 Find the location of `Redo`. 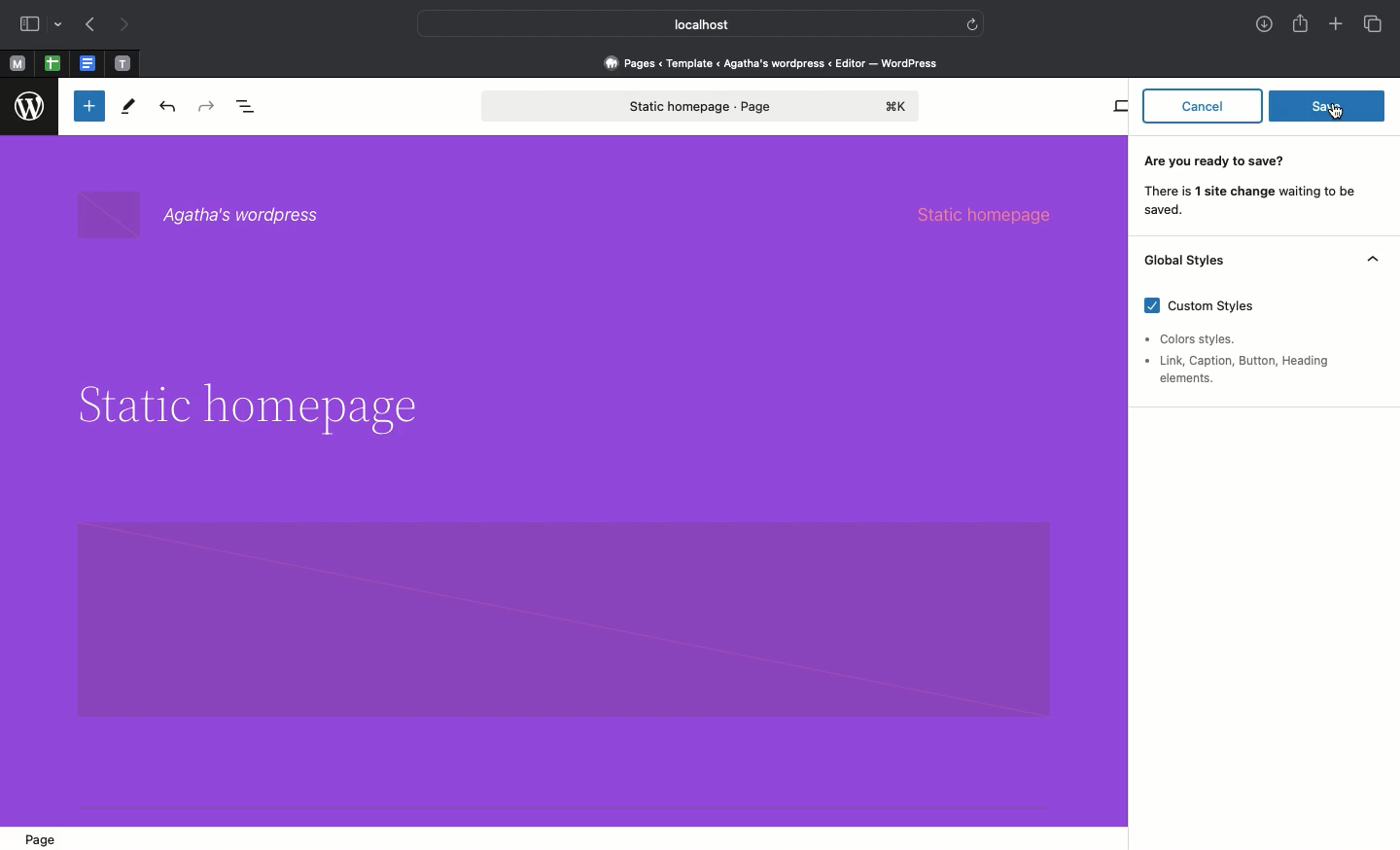

Redo is located at coordinates (209, 107).